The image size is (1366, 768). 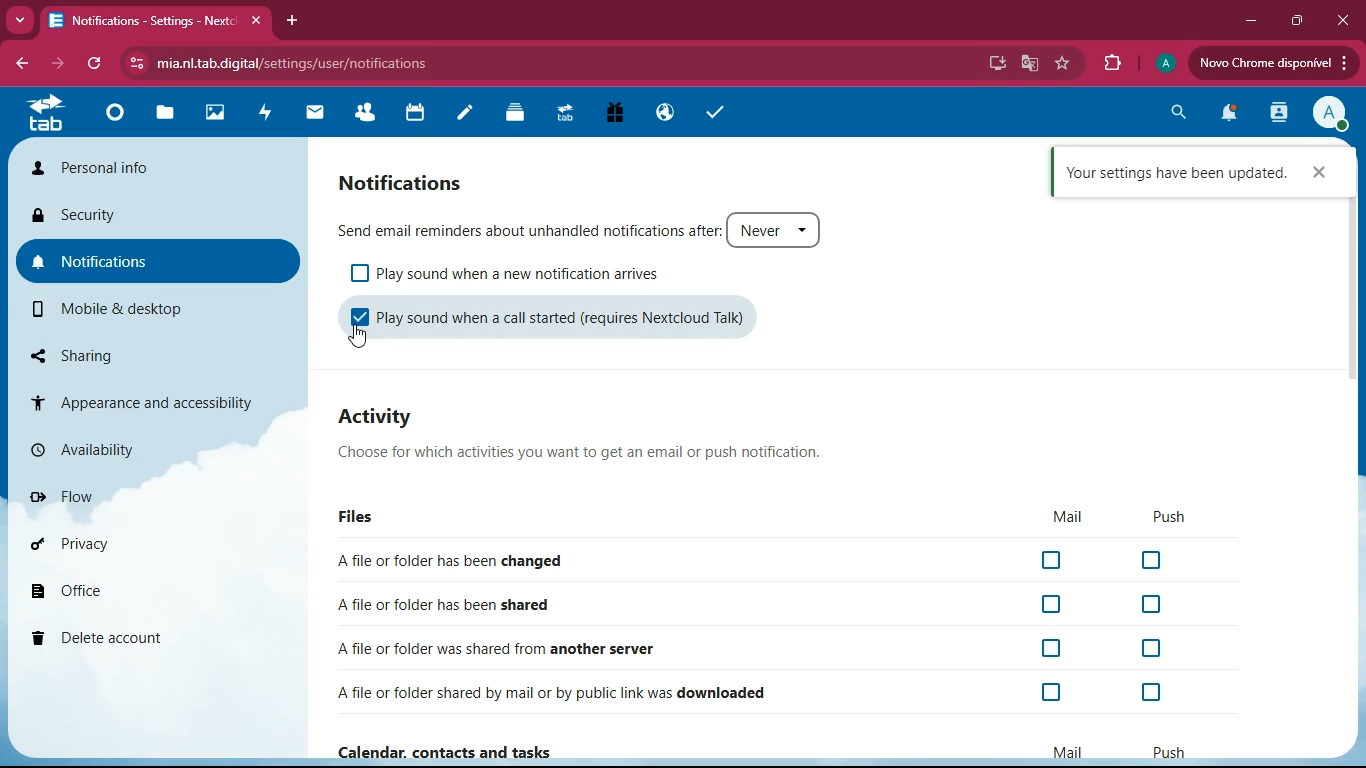 What do you see at coordinates (1328, 115) in the screenshot?
I see `profile` at bounding box center [1328, 115].